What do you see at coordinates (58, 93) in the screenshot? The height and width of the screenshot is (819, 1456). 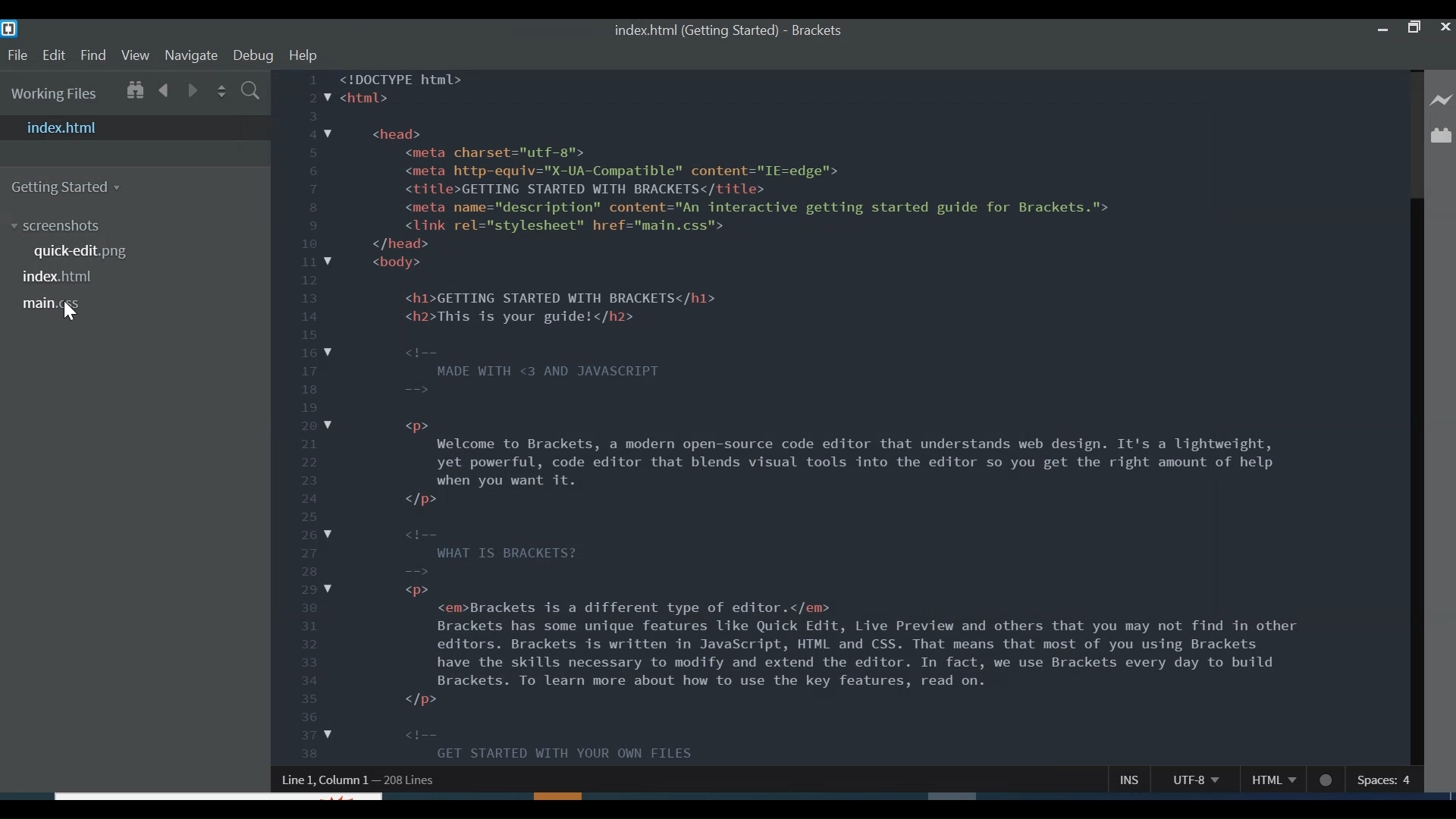 I see `Working Files` at bounding box center [58, 93].